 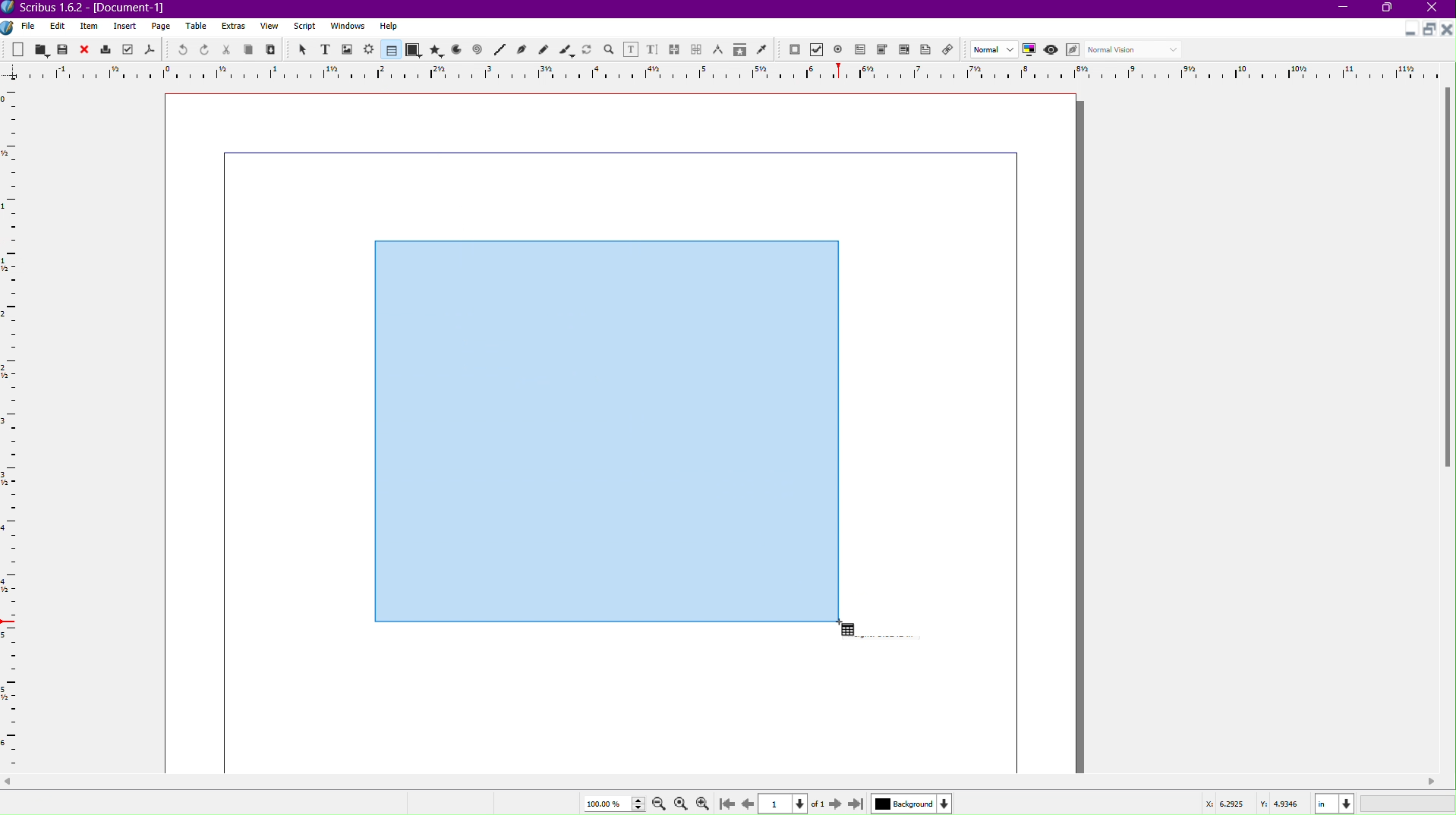 I want to click on Zoom Out, so click(x=656, y=804).